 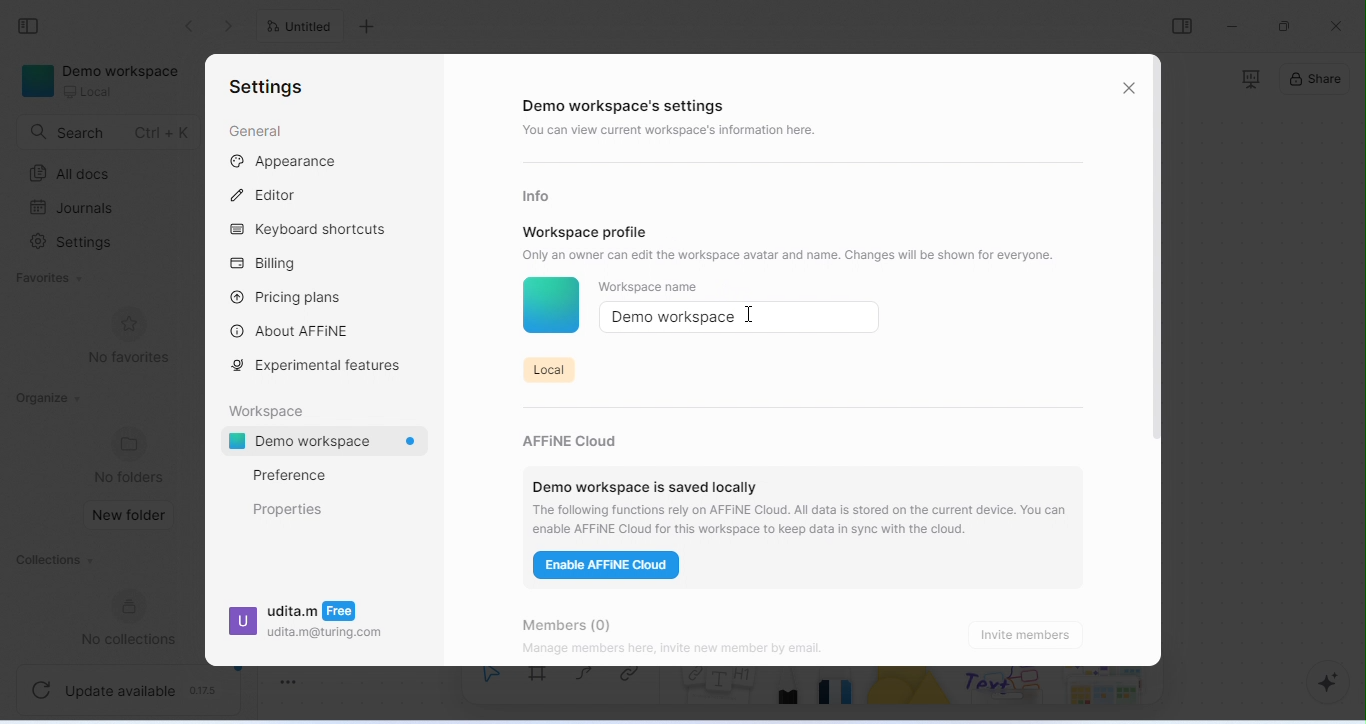 What do you see at coordinates (289, 509) in the screenshot?
I see `properties` at bounding box center [289, 509].